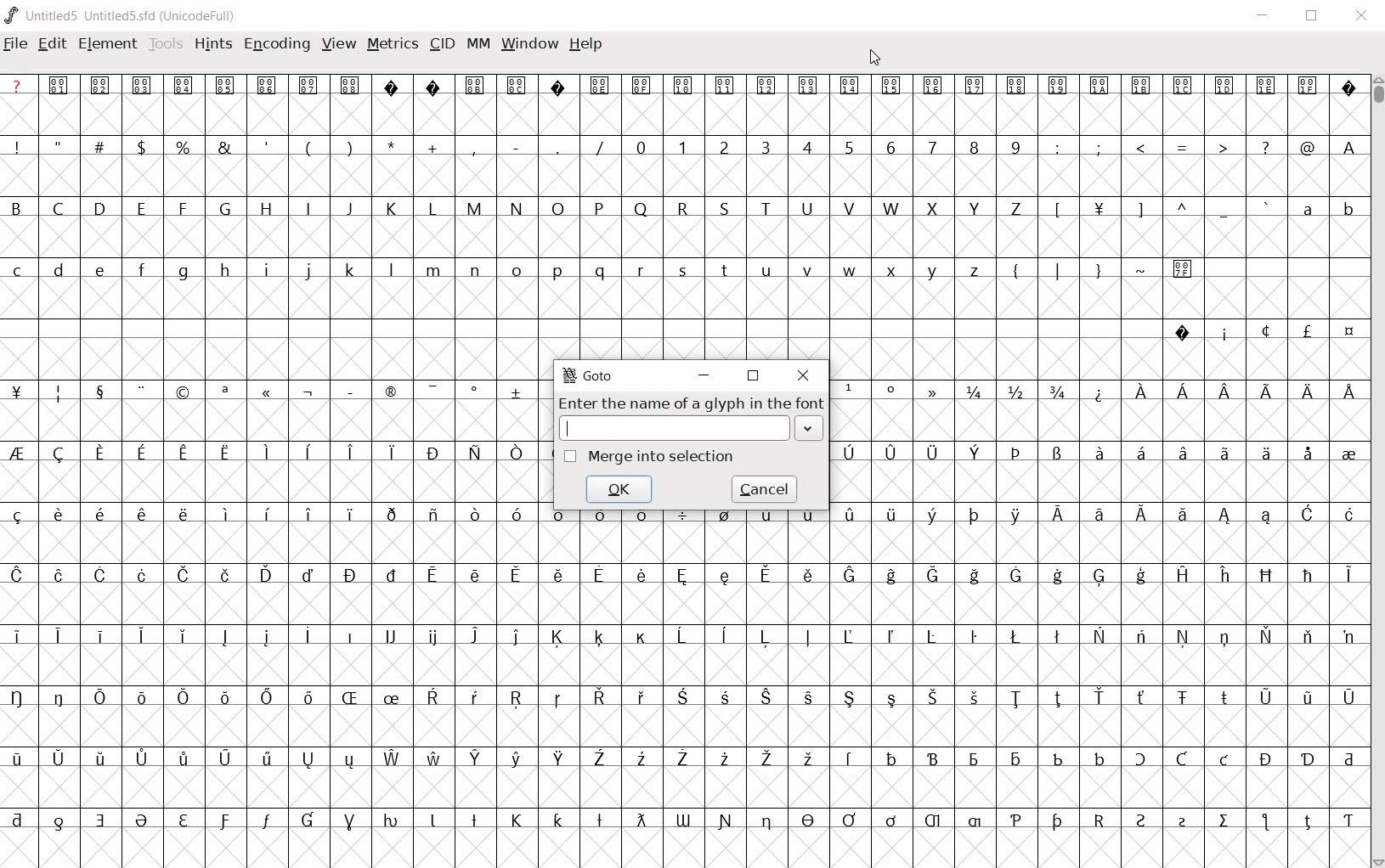  I want to click on Symbol, so click(1102, 87).